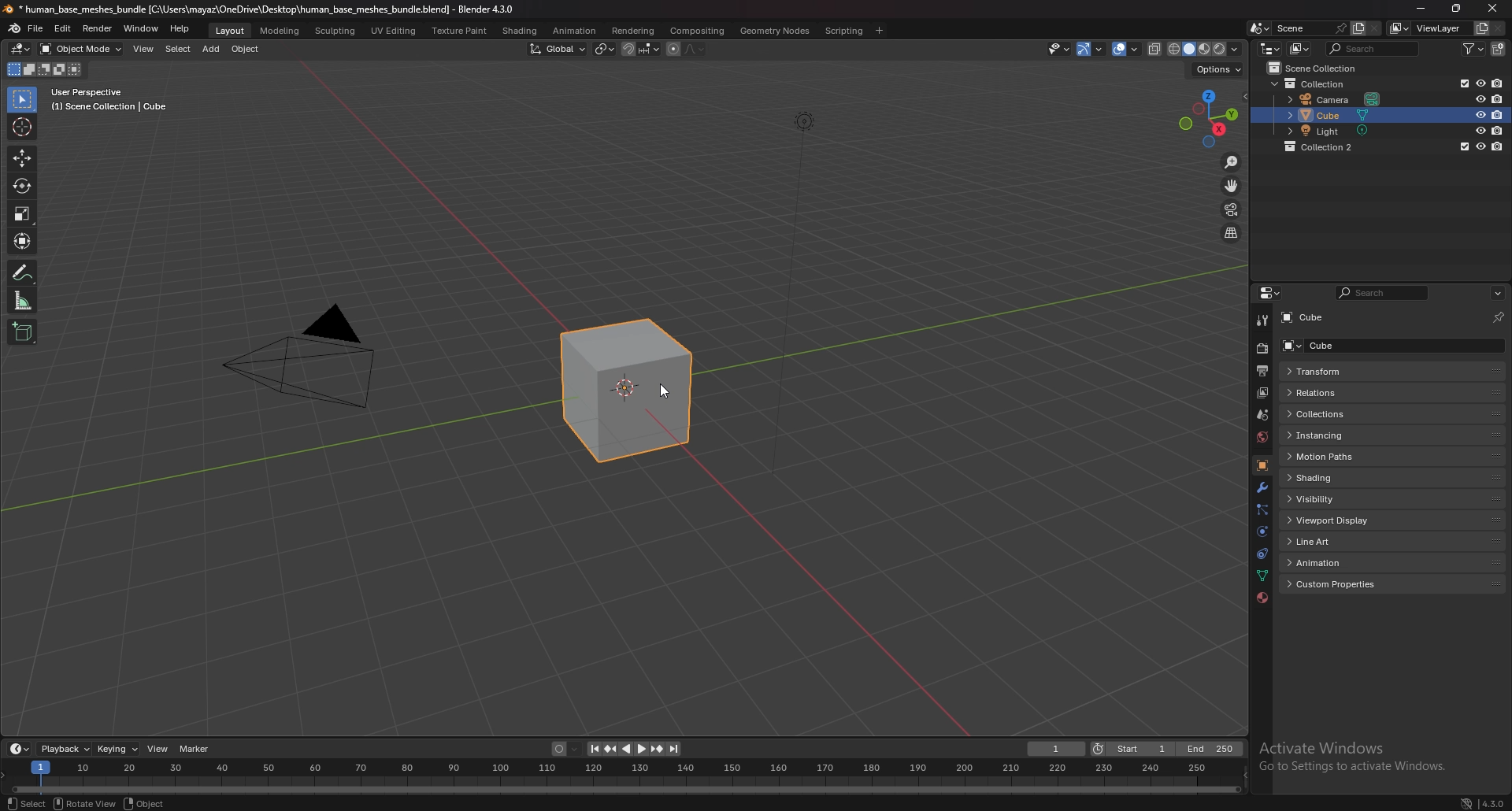 The height and width of the screenshot is (811, 1512). I want to click on hide in viewport, so click(1480, 130).